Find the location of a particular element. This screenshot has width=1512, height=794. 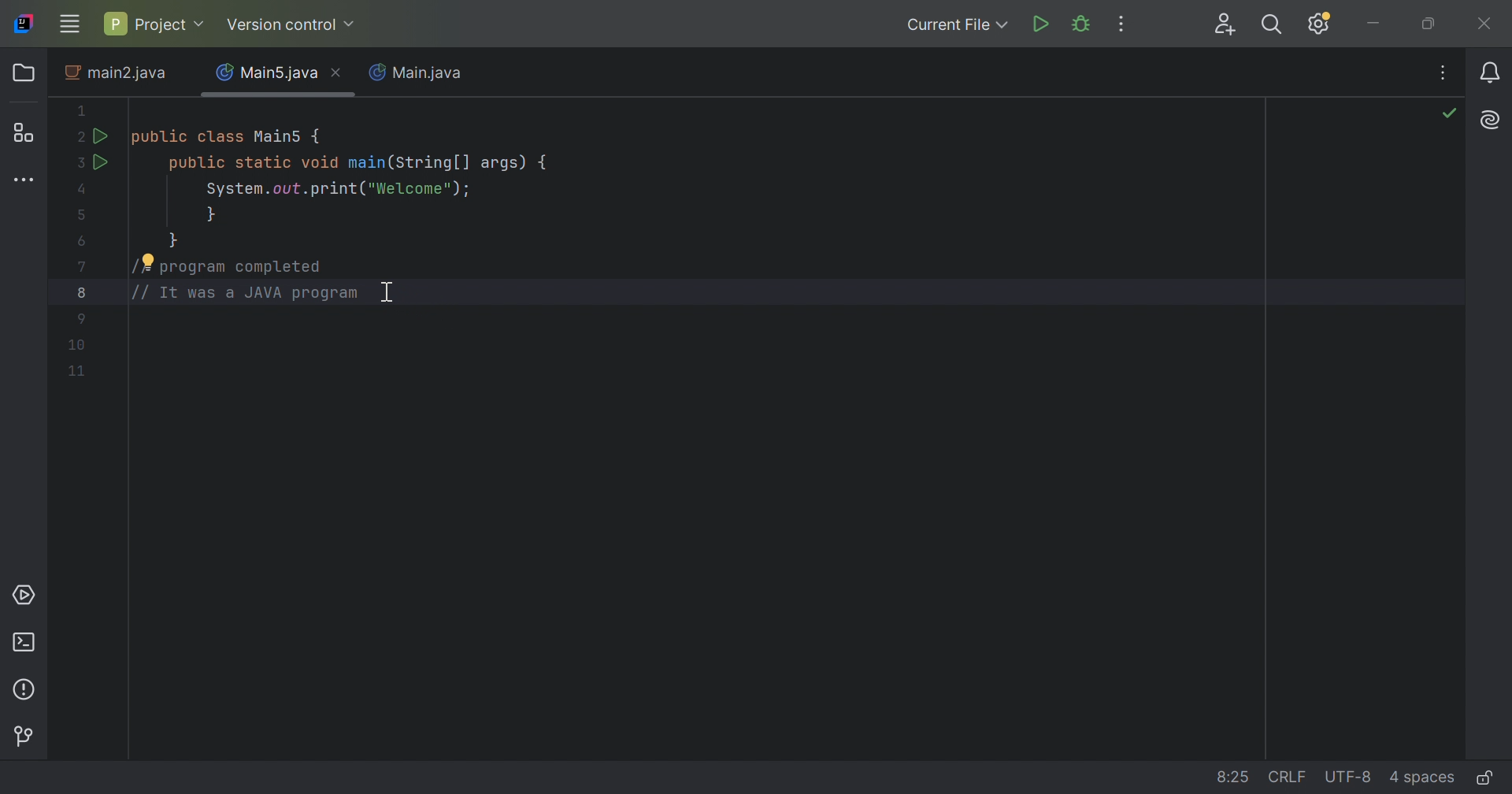

Terminal is located at coordinates (27, 642).